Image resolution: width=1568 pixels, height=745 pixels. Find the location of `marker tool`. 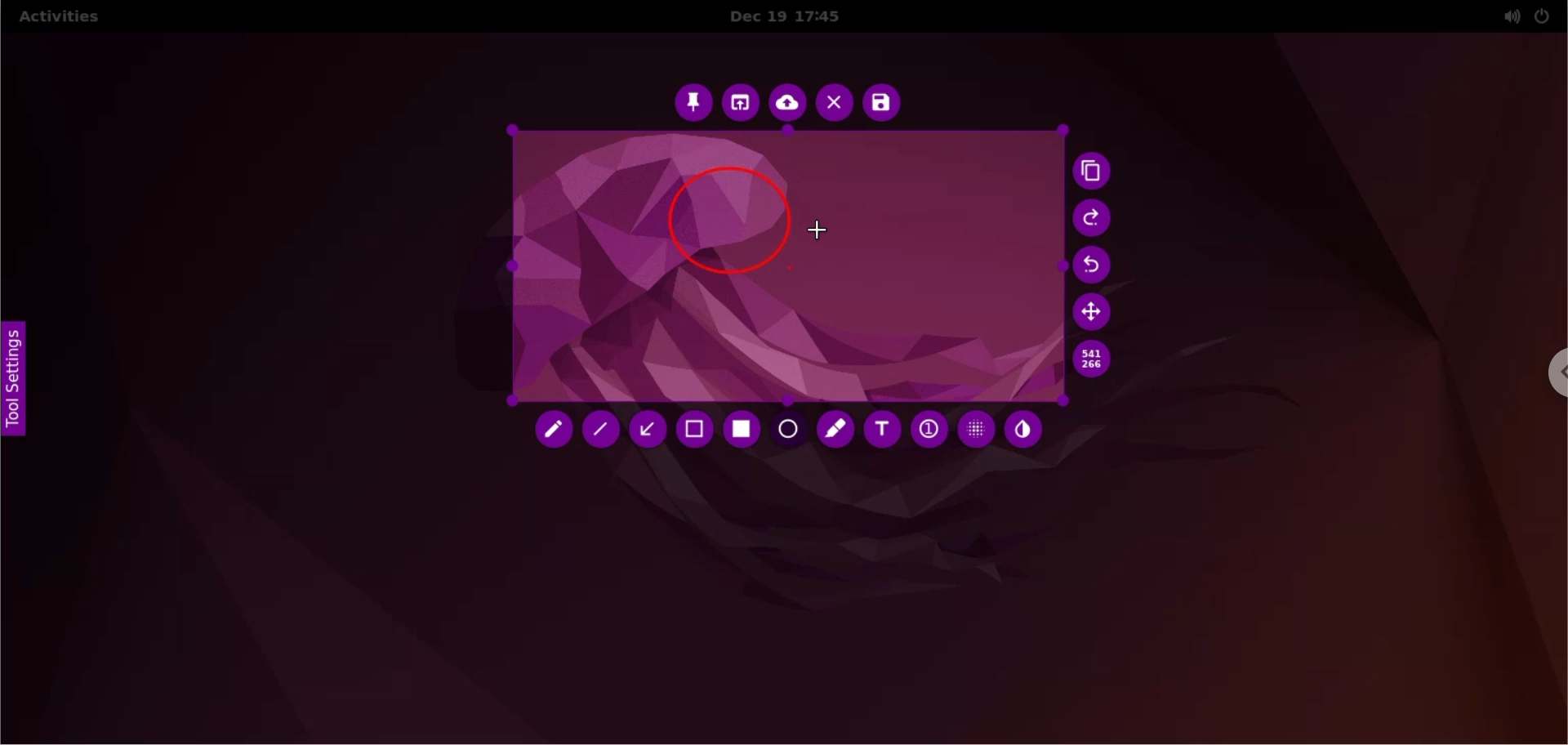

marker tool is located at coordinates (837, 431).